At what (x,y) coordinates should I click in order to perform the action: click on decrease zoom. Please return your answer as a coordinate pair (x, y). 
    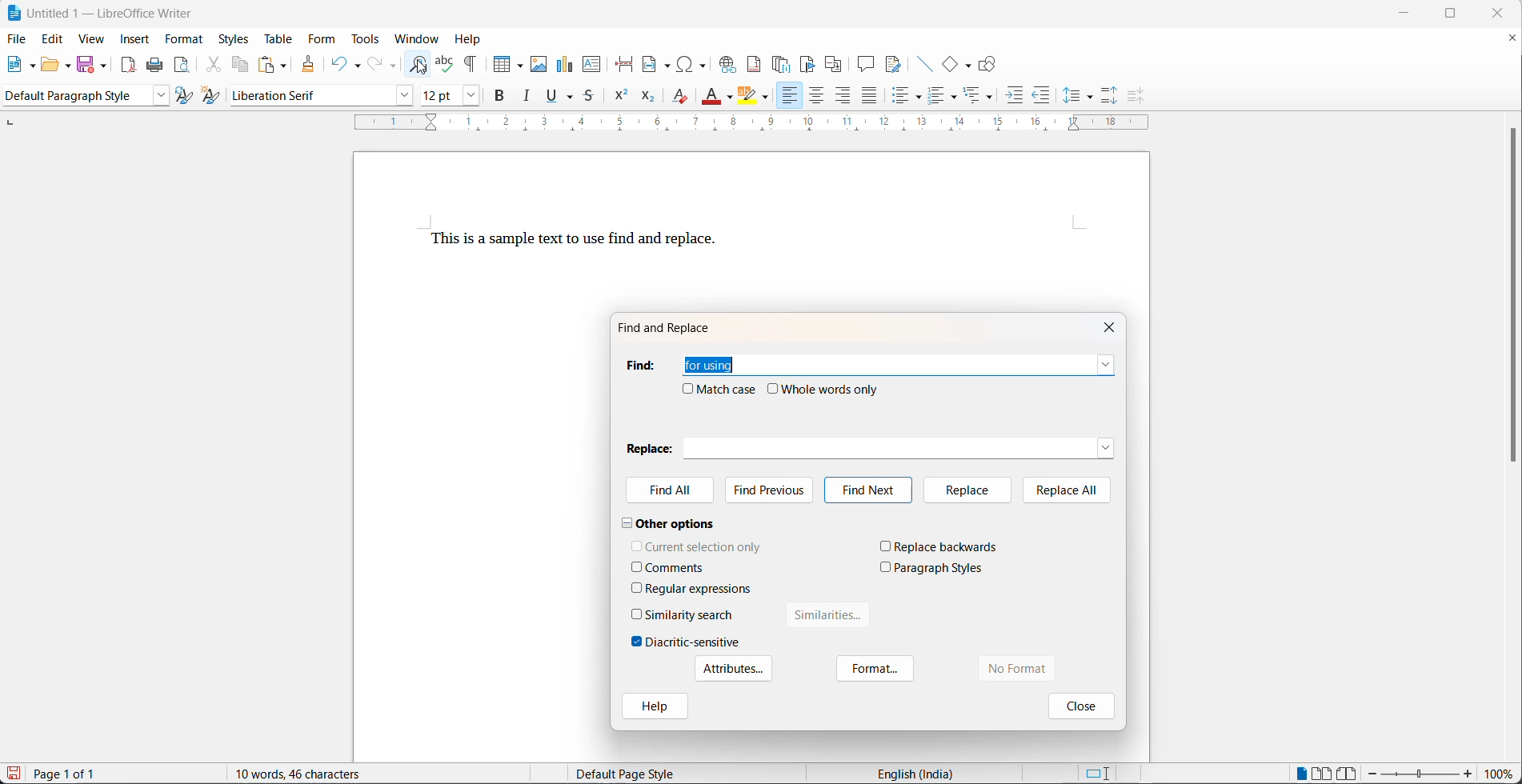
    Looking at the image, I should click on (1372, 774).